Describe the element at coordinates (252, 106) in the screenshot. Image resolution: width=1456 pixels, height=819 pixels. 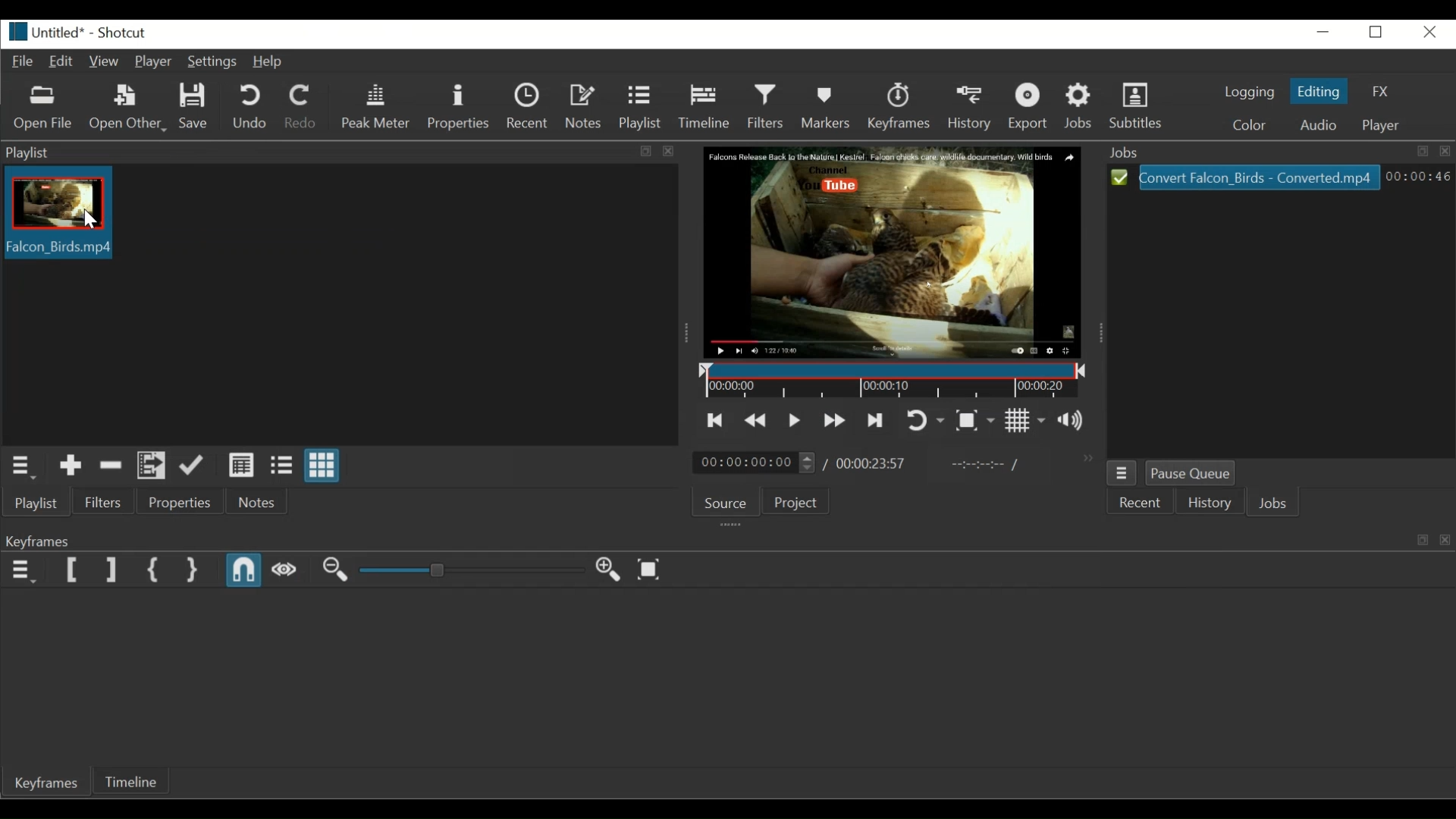
I see `Undo` at that location.